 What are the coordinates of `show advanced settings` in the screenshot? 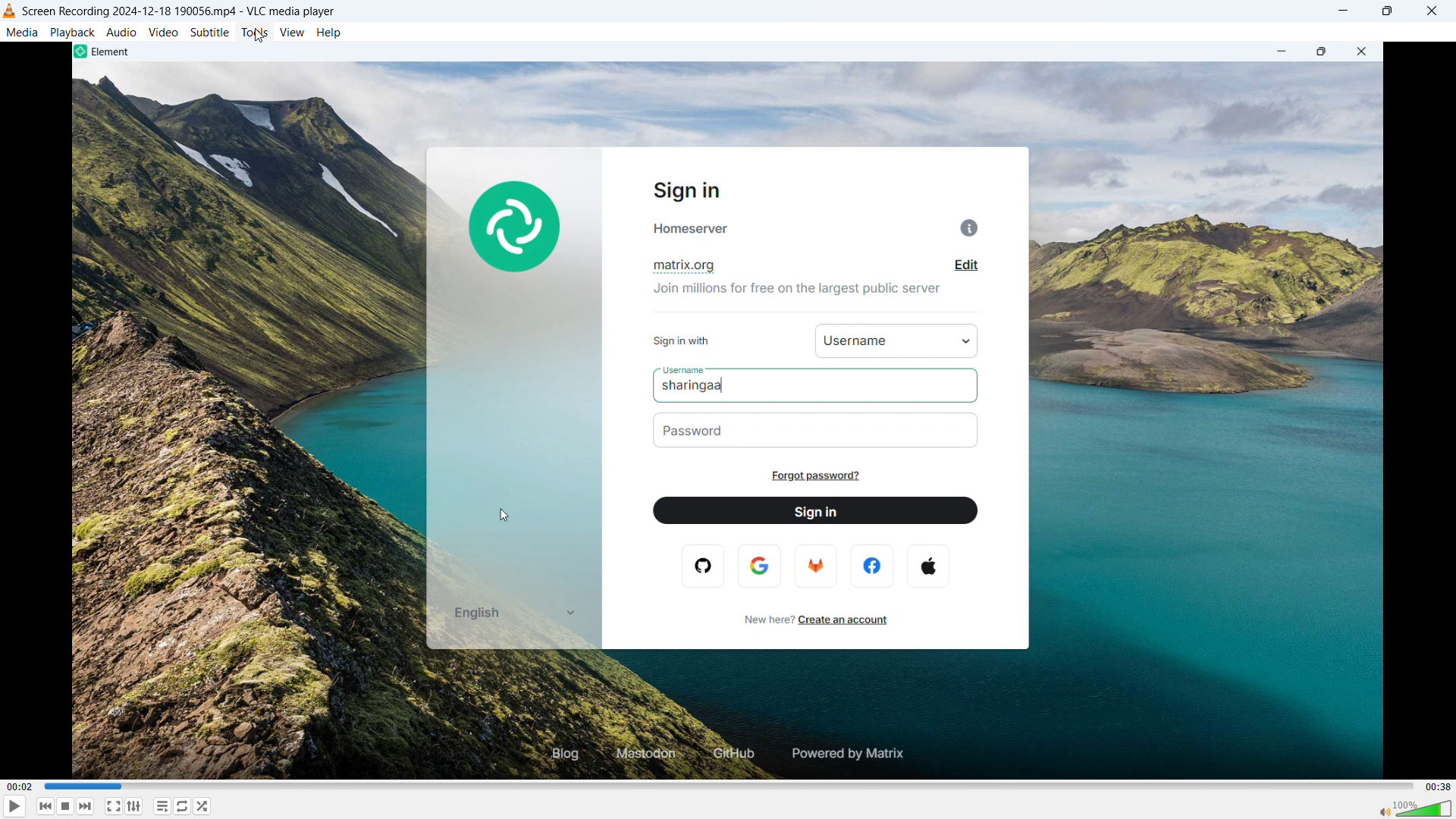 It's located at (136, 806).